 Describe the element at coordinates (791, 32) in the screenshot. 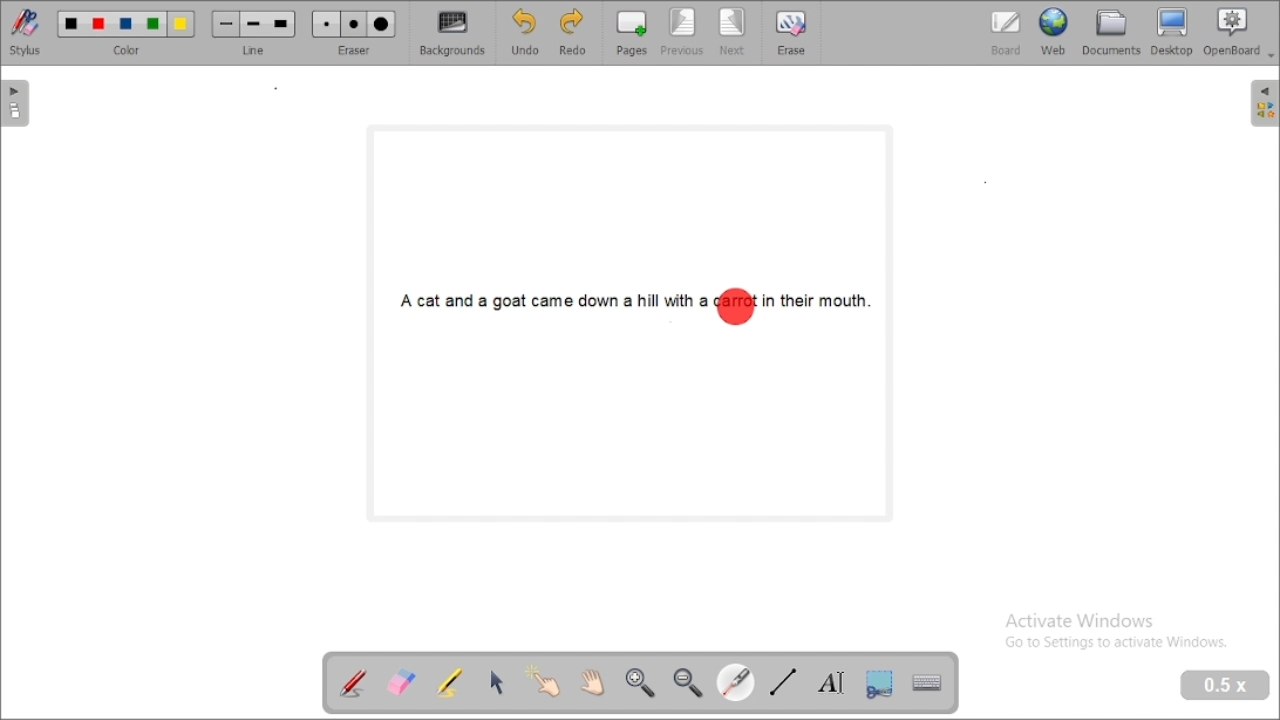

I see `erase` at that location.